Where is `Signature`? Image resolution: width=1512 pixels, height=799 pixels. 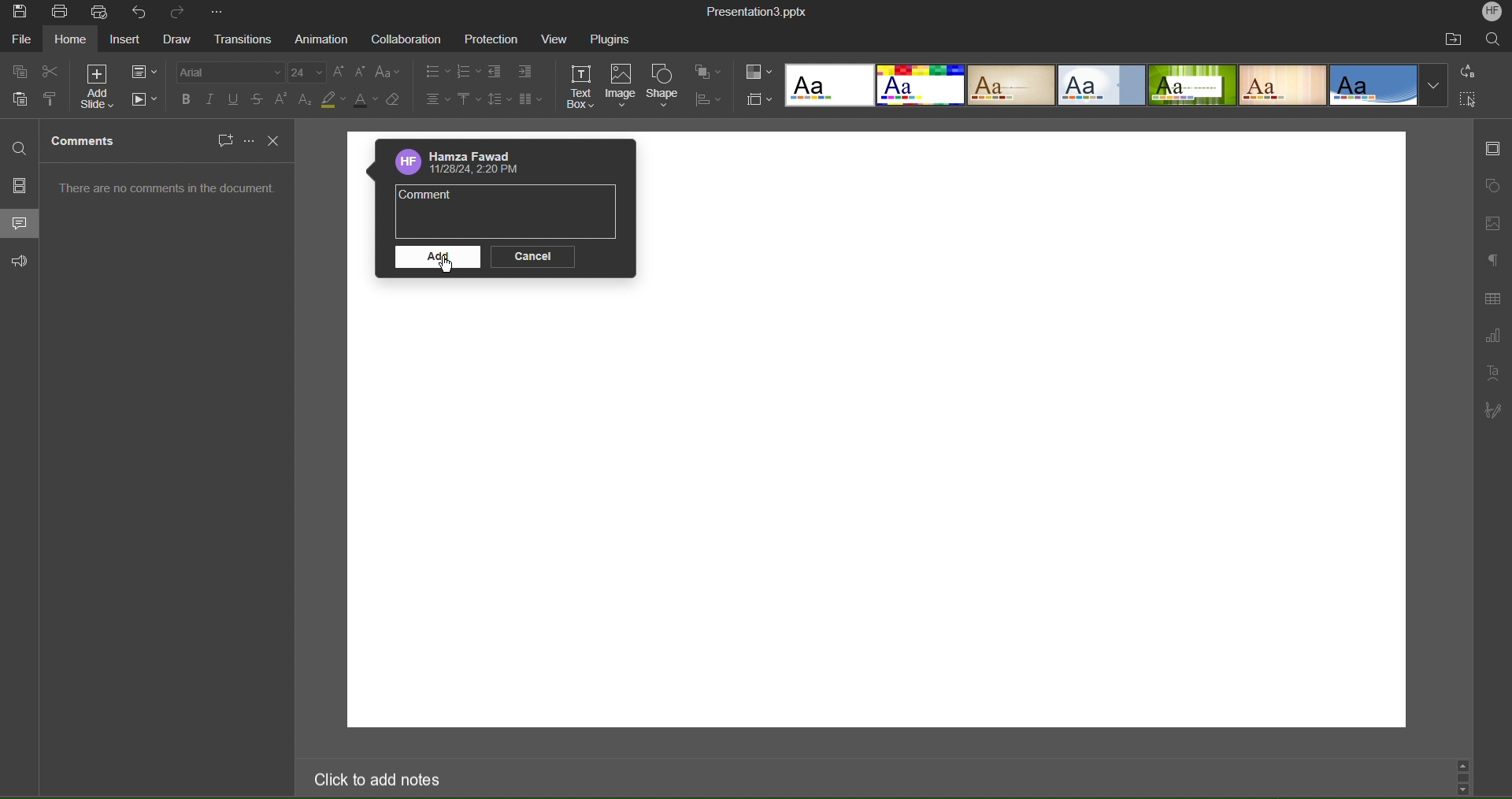
Signature is located at coordinates (1492, 412).